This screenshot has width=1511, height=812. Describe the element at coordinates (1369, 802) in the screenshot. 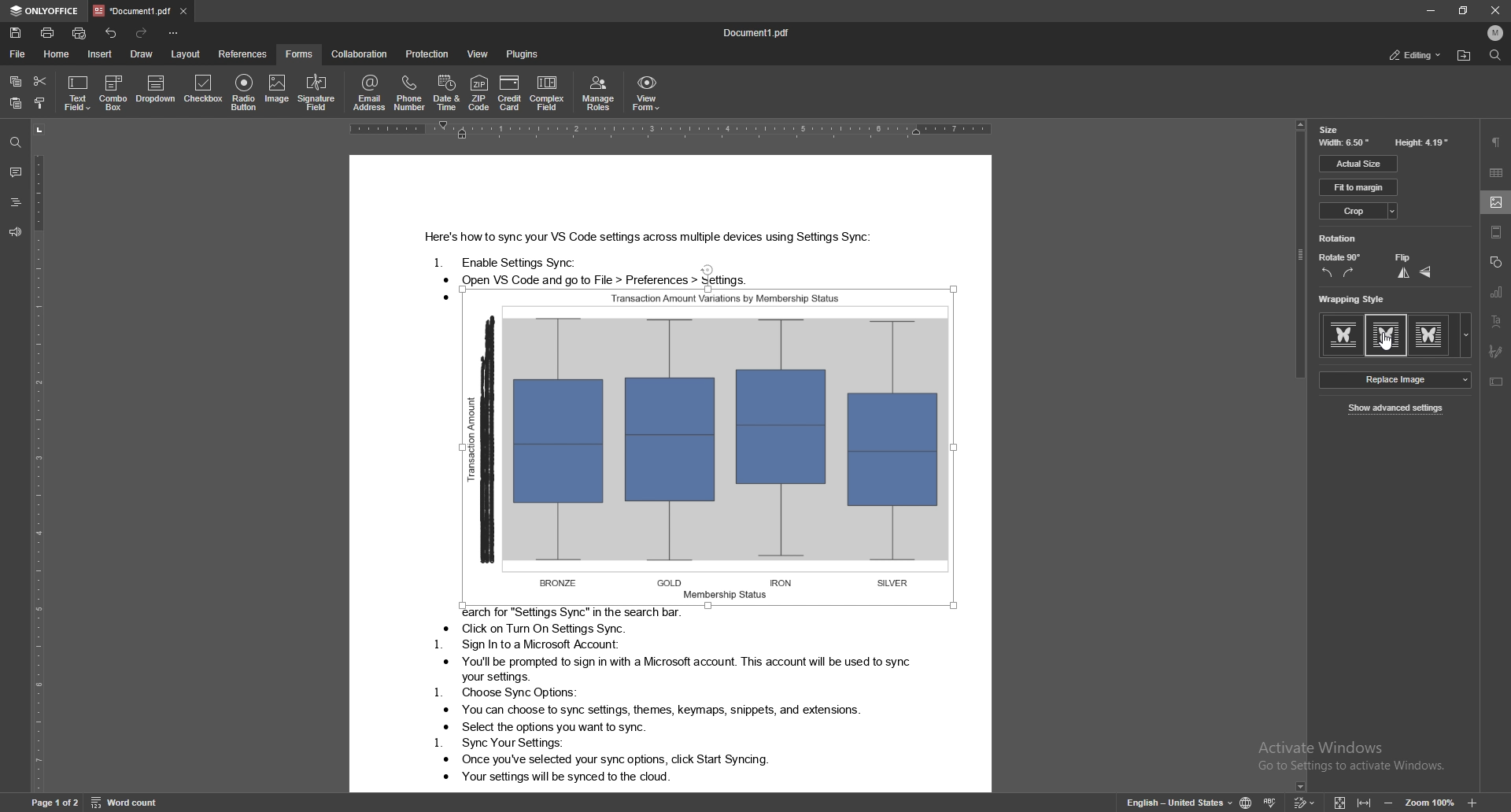

I see `icon` at that location.